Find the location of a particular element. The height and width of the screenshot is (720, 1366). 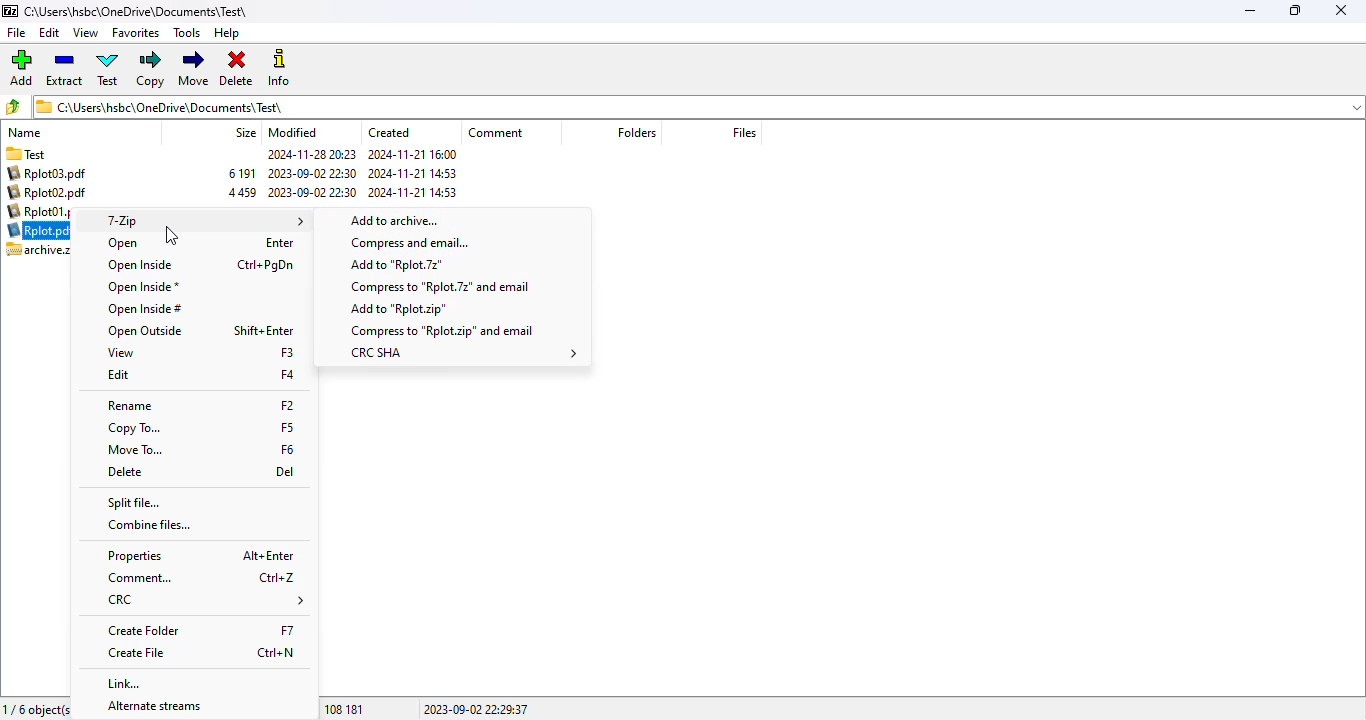

selected pdf is located at coordinates (36, 230).